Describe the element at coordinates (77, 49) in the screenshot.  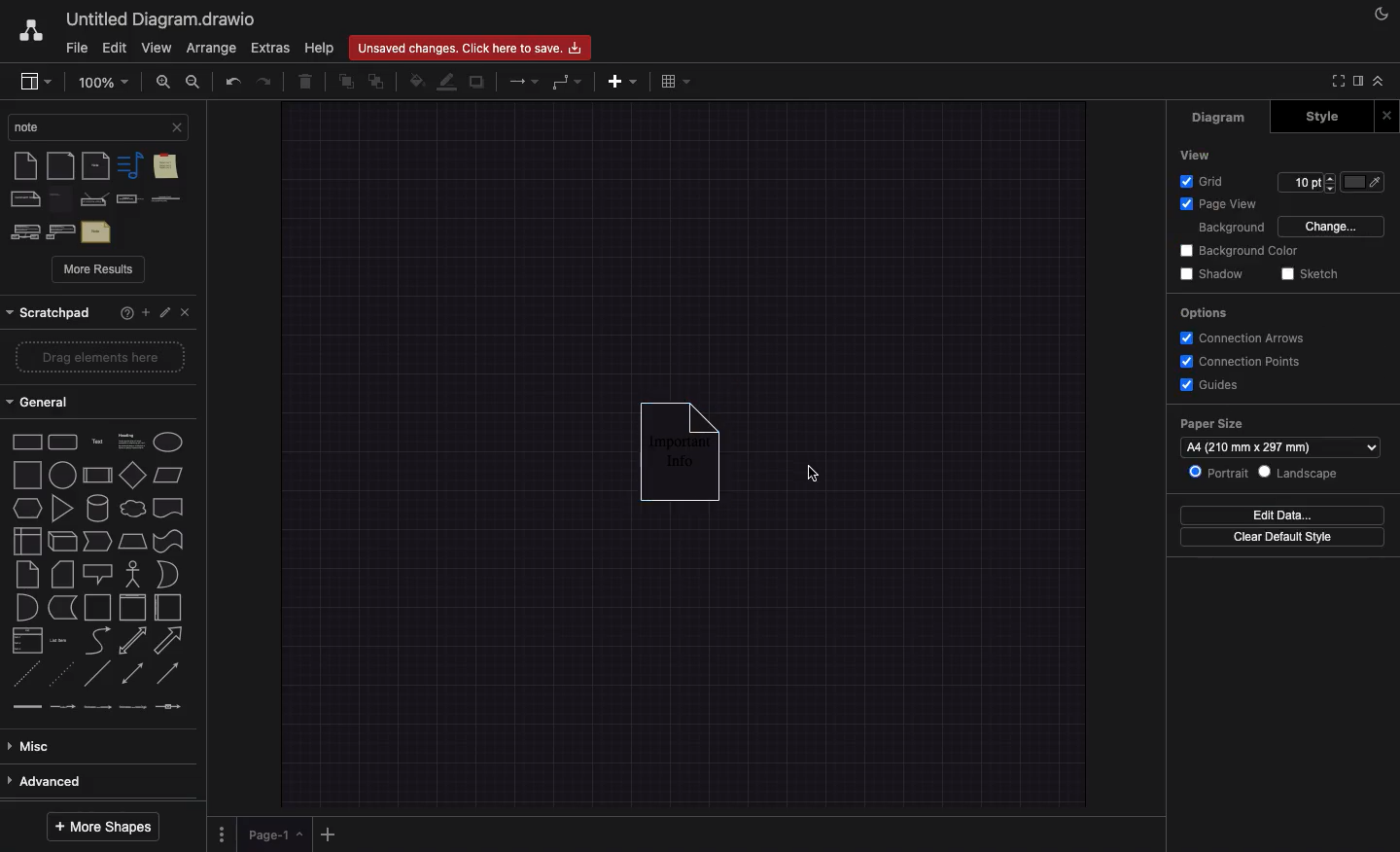
I see `File` at that location.